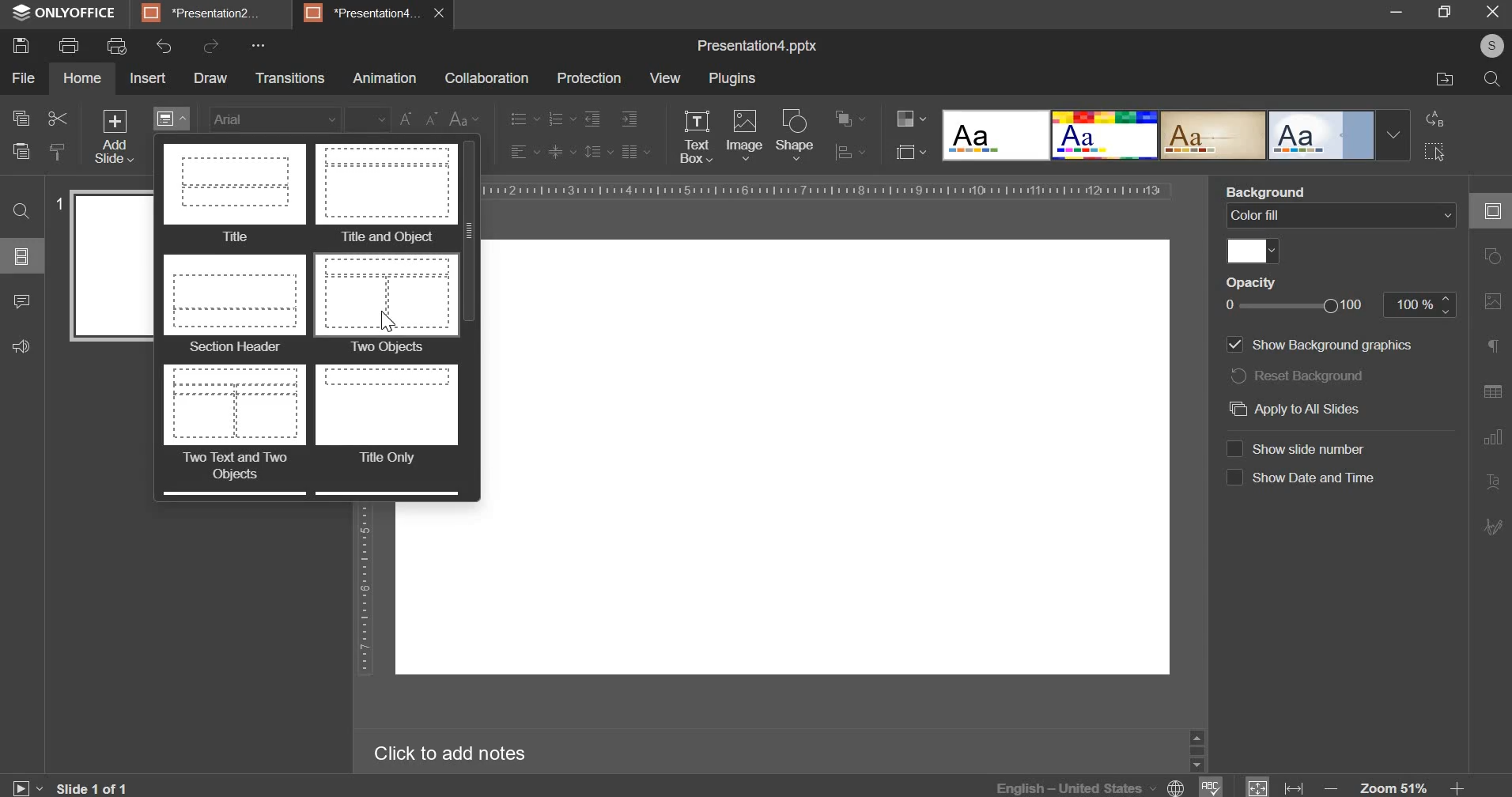 Image resolution: width=1512 pixels, height=797 pixels. I want to click on show background graphics, so click(1232, 345).